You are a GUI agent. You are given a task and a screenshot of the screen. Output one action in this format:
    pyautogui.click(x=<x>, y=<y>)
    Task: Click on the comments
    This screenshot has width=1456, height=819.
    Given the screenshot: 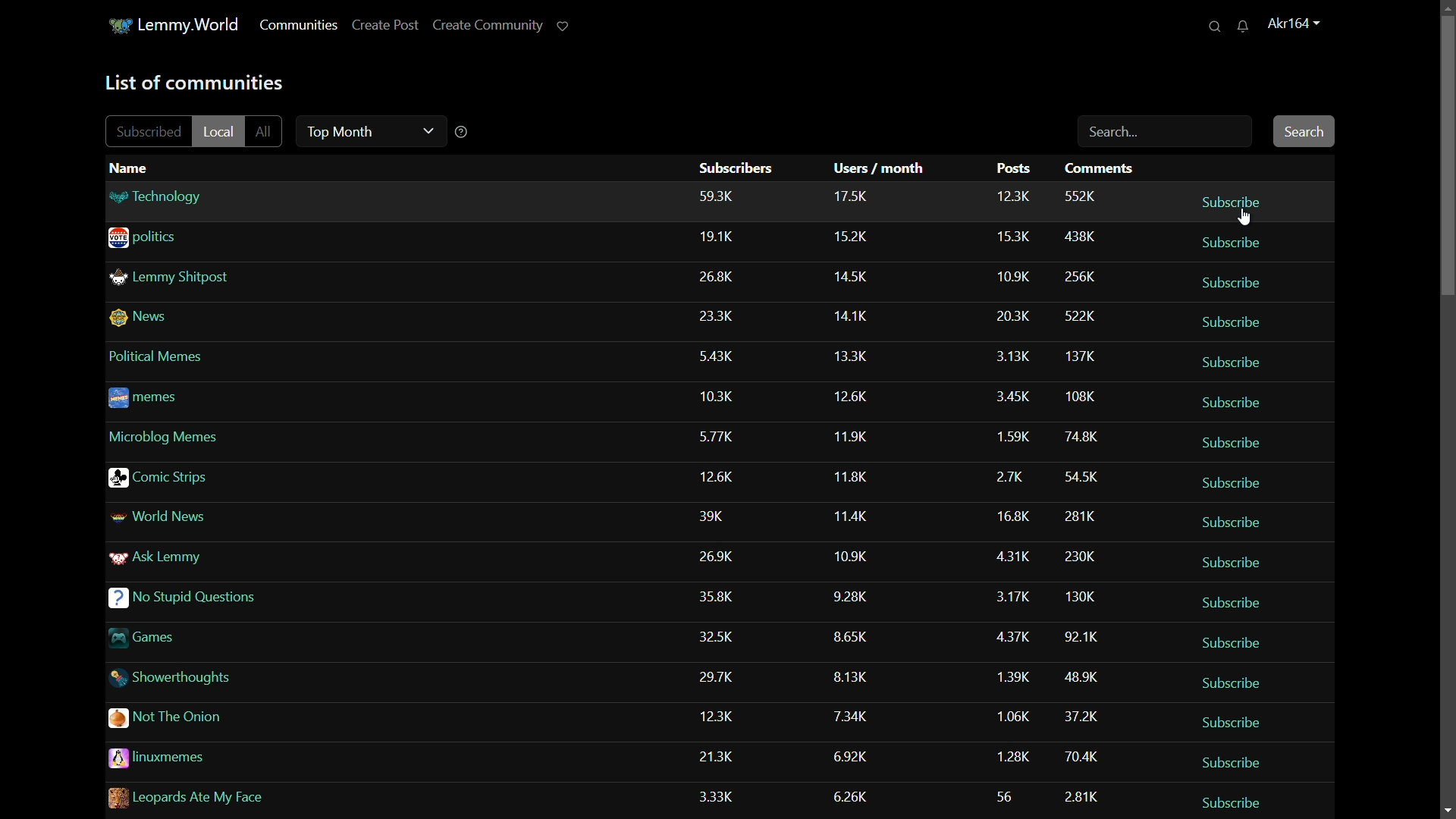 What is the action you would take?
    pyautogui.click(x=1078, y=237)
    